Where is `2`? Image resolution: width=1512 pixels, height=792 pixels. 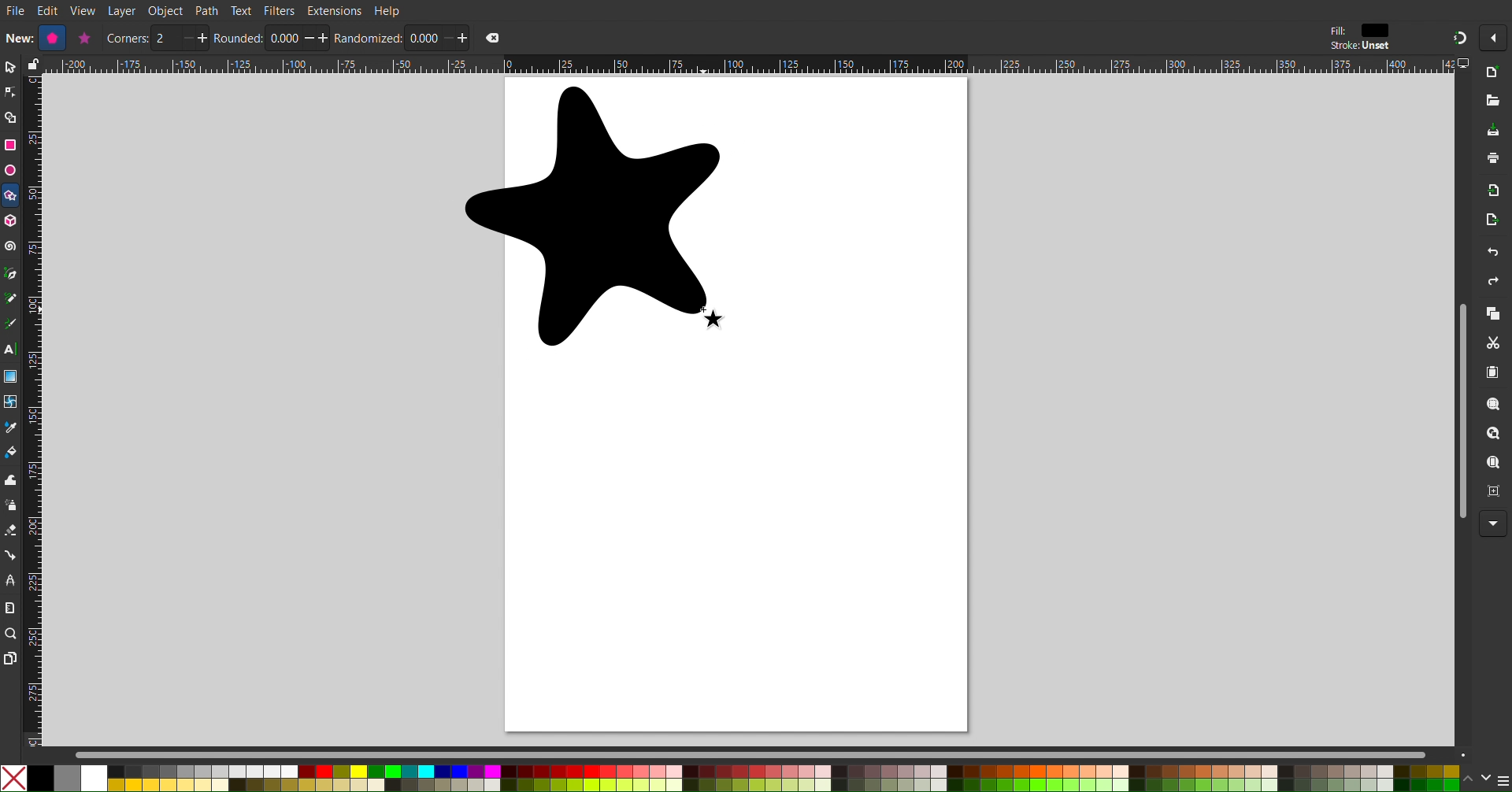
2 is located at coordinates (165, 39).